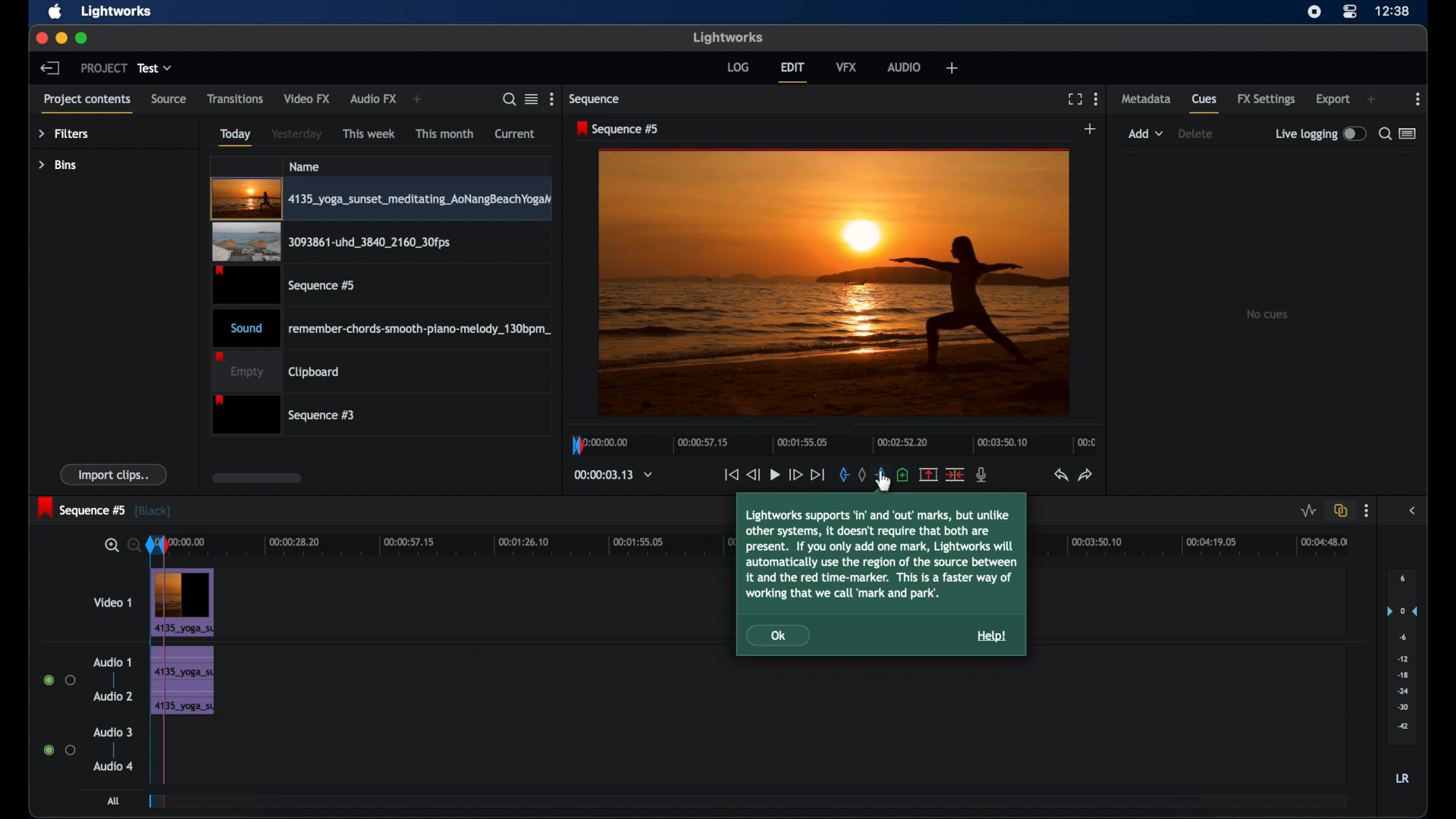 This screenshot has height=819, width=1456. I want to click on sequence, so click(617, 128).